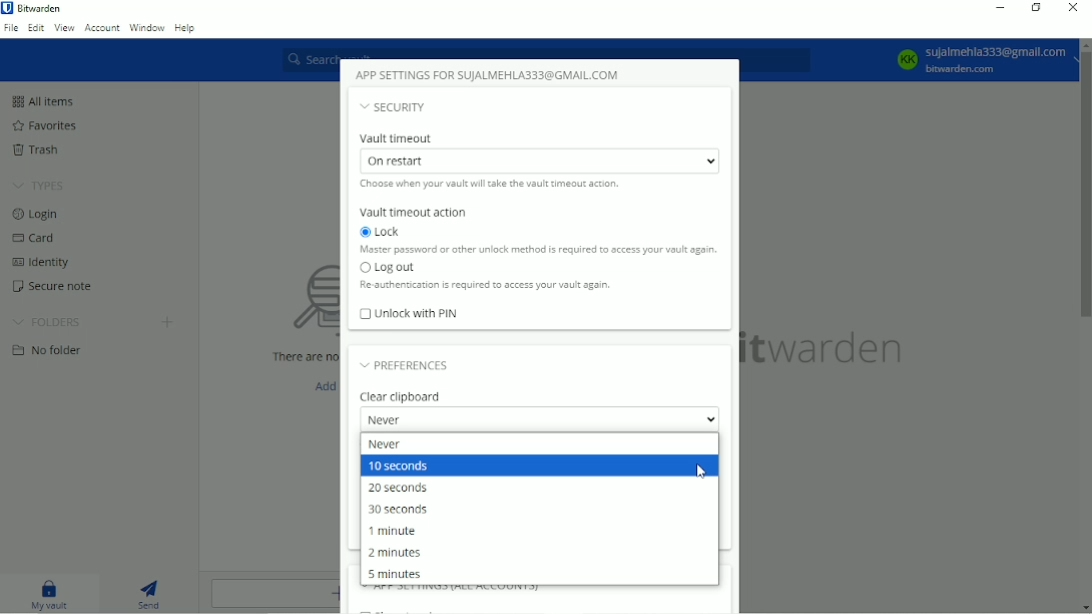  Describe the element at coordinates (408, 365) in the screenshot. I see `Preferences` at that location.